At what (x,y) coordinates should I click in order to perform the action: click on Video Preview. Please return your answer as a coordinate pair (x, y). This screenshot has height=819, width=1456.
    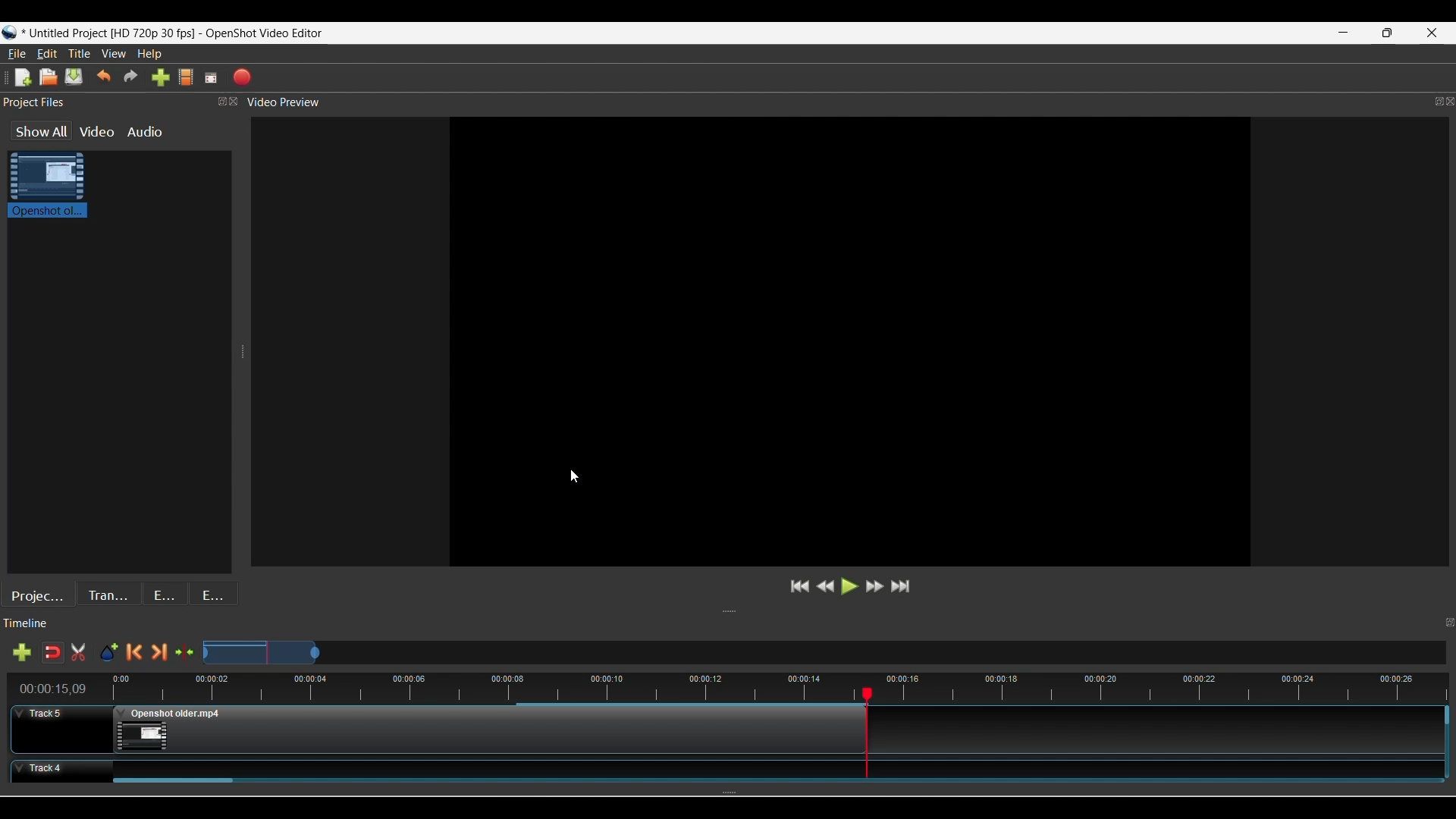
    Looking at the image, I should click on (852, 103).